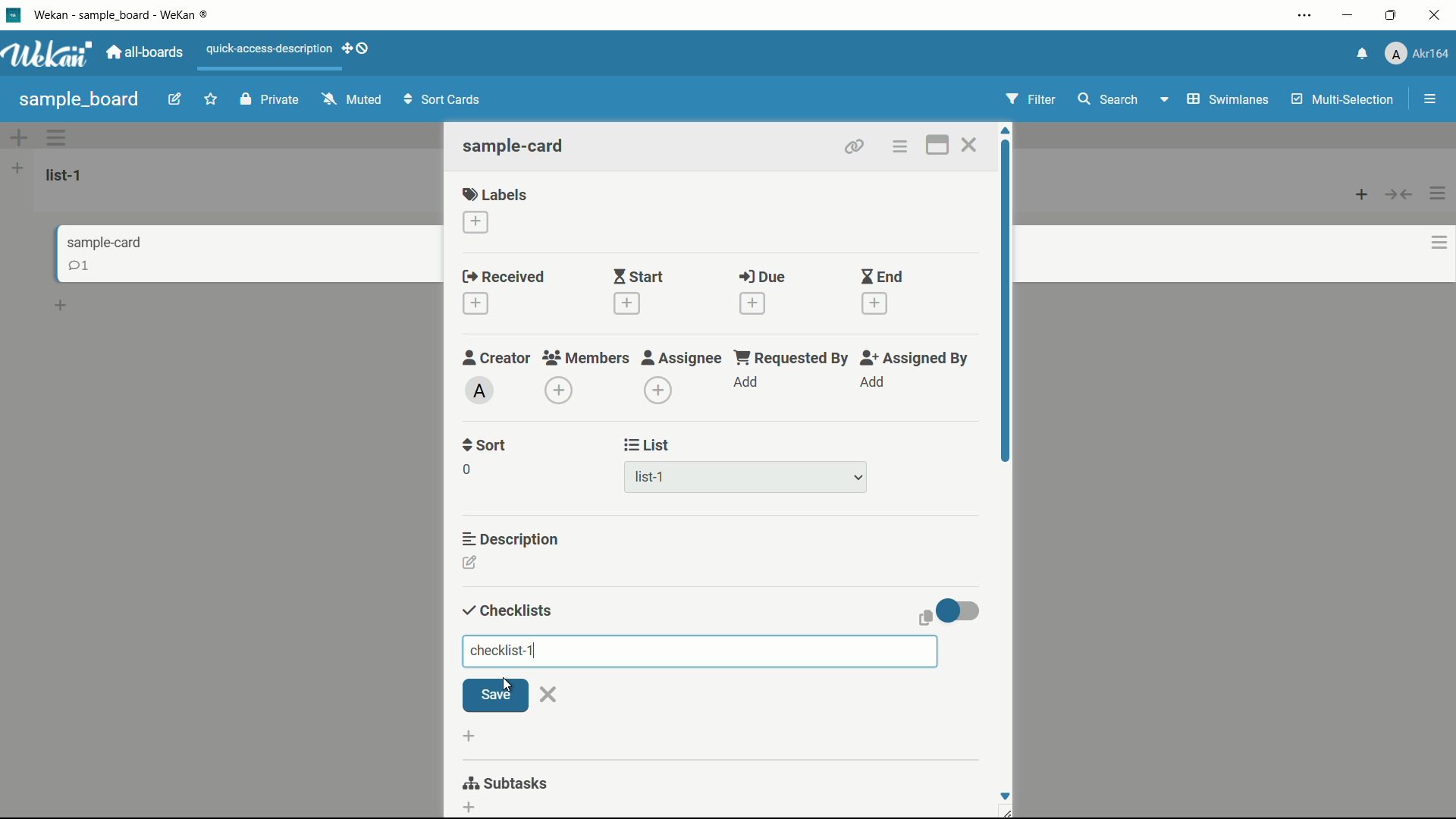 This screenshot has width=1456, height=819. Describe the element at coordinates (1031, 101) in the screenshot. I see `Filter` at that location.